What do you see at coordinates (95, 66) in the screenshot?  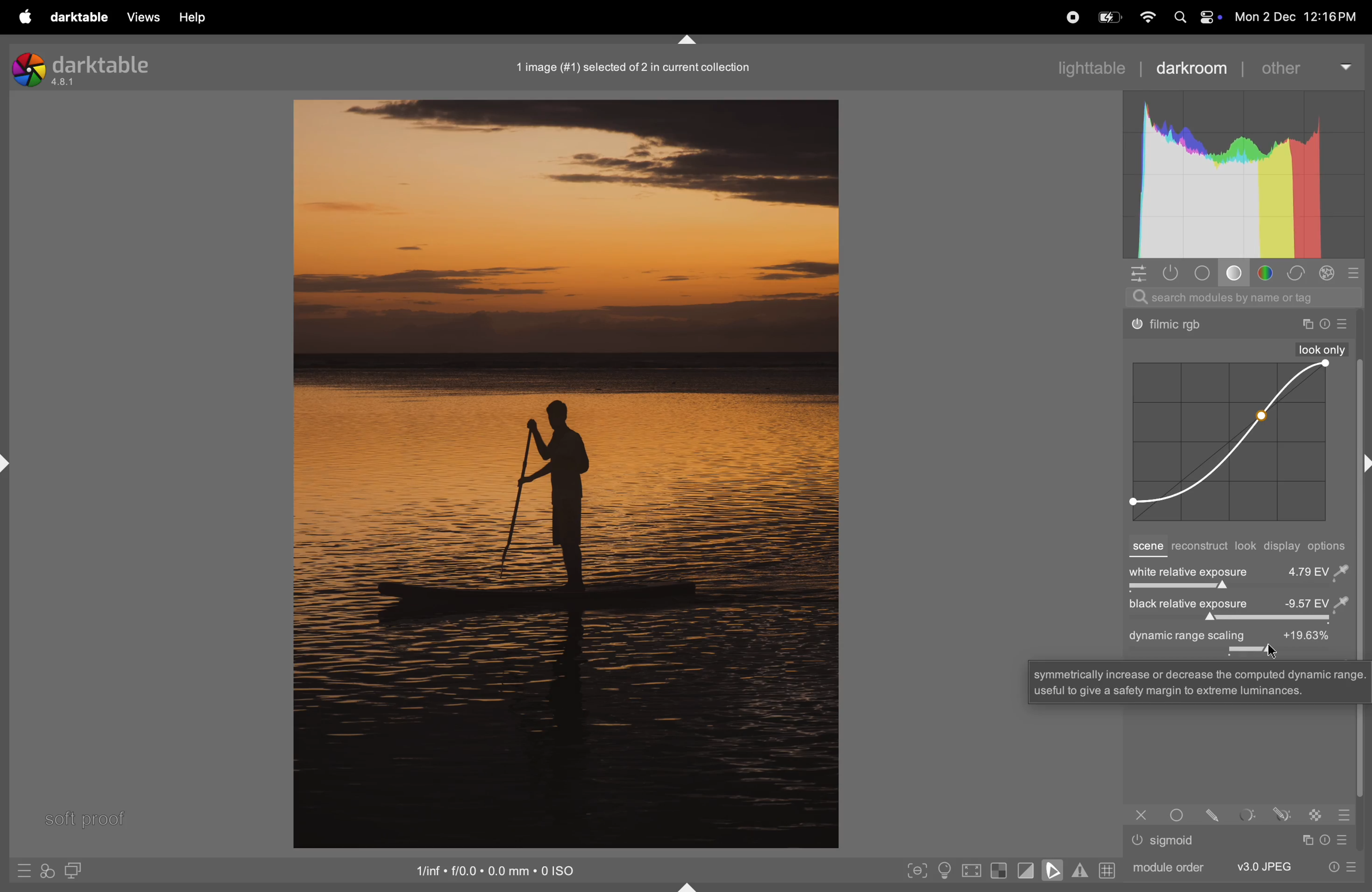 I see `darktable version` at bounding box center [95, 66].